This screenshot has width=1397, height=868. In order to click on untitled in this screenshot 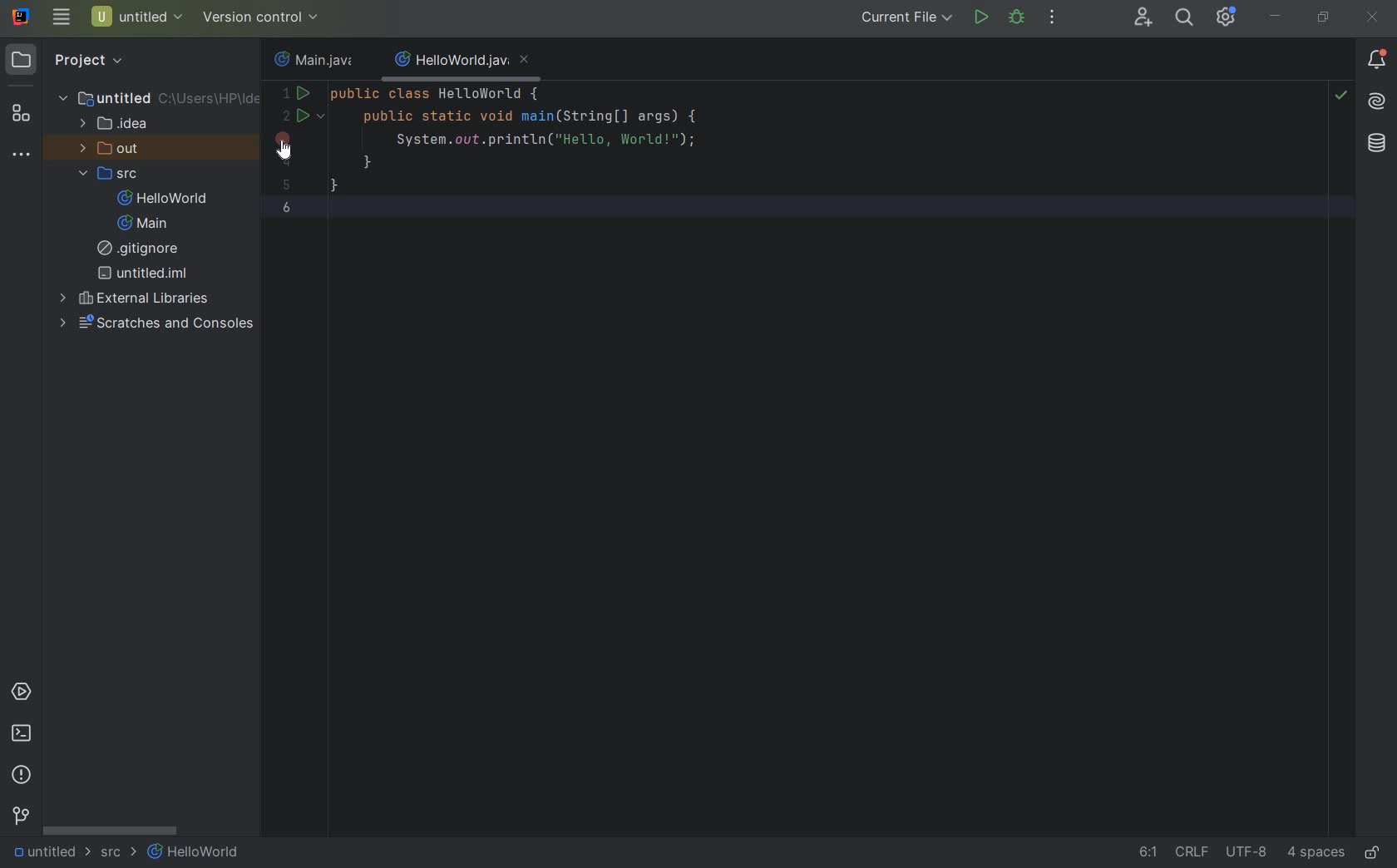, I will do `click(160, 97)`.